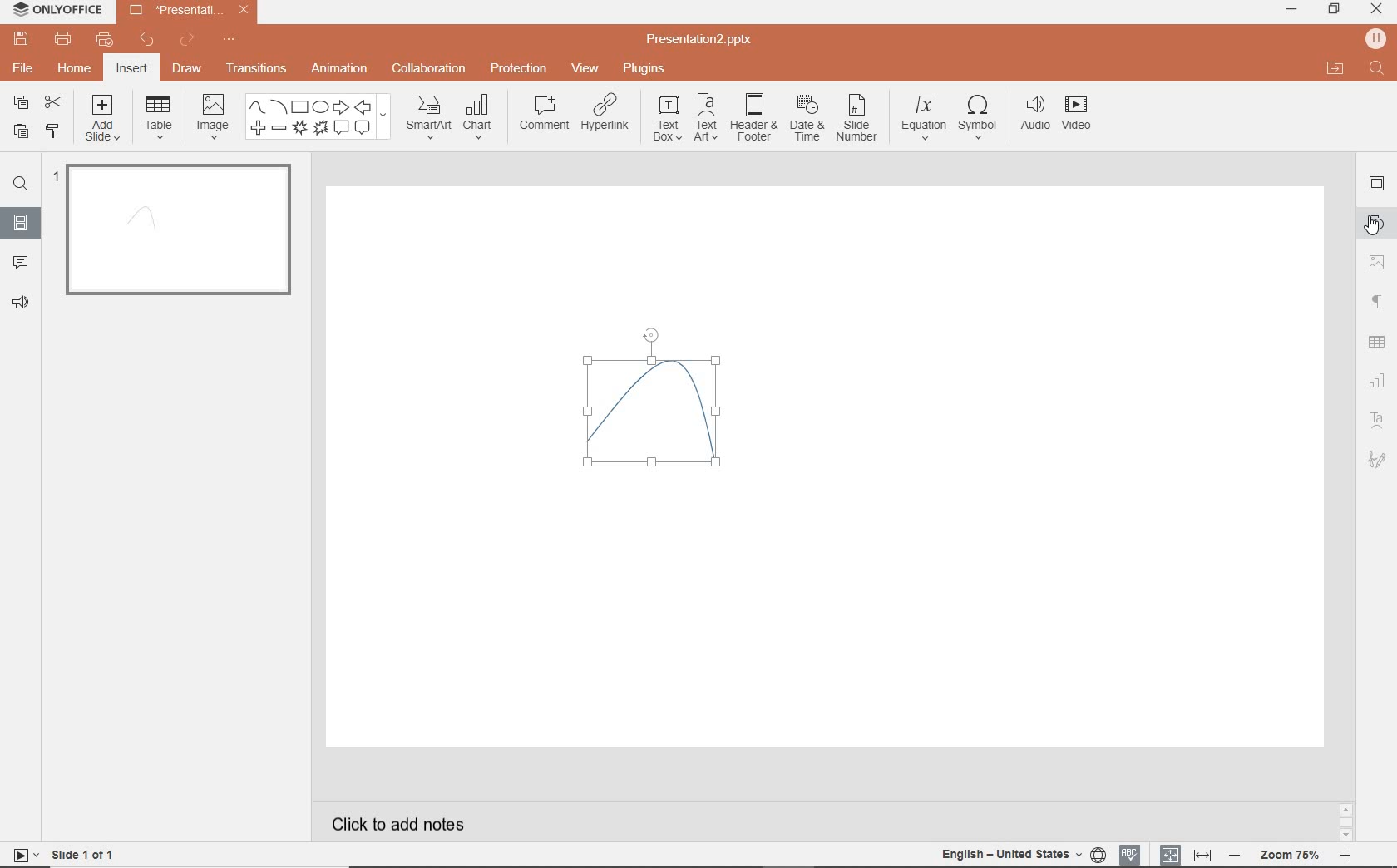  I want to click on curve drawn, so click(649, 408).